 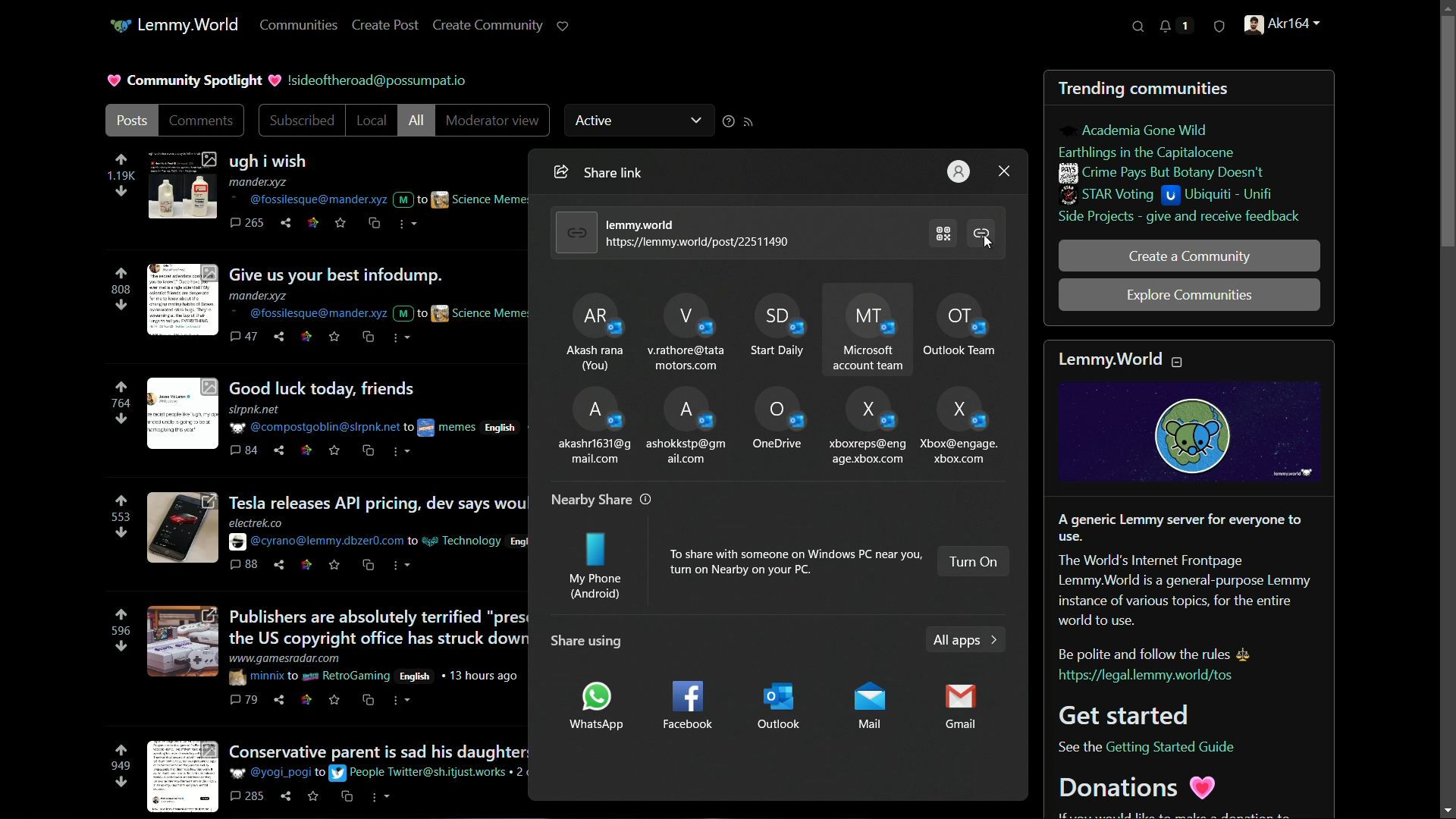 What do you see at coordinates (517, 542) in the screenshot?
I see `Eng` at bounding box center [517, 542].